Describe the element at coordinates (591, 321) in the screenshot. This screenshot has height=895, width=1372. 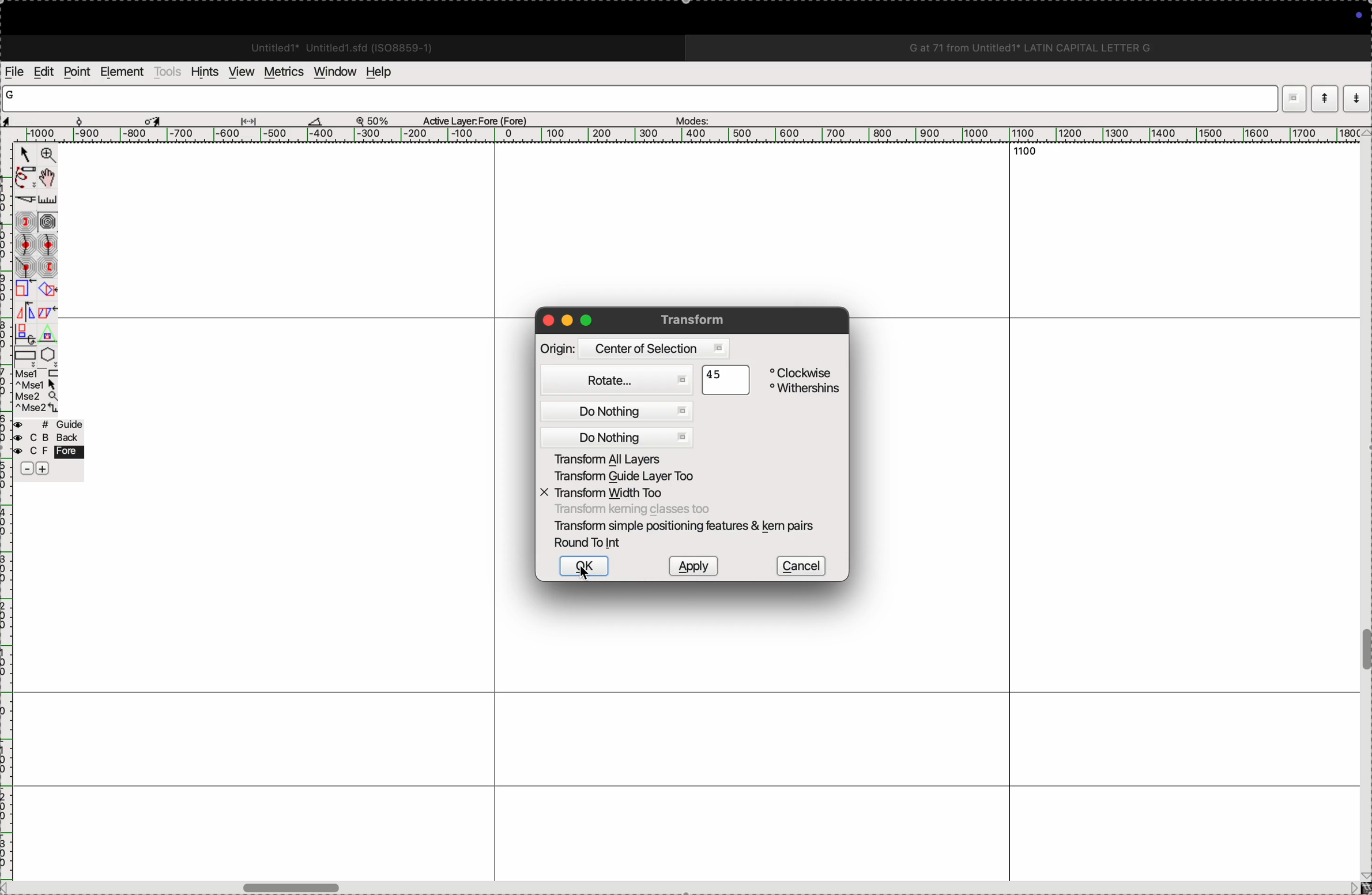
I see `maximize` at that location.